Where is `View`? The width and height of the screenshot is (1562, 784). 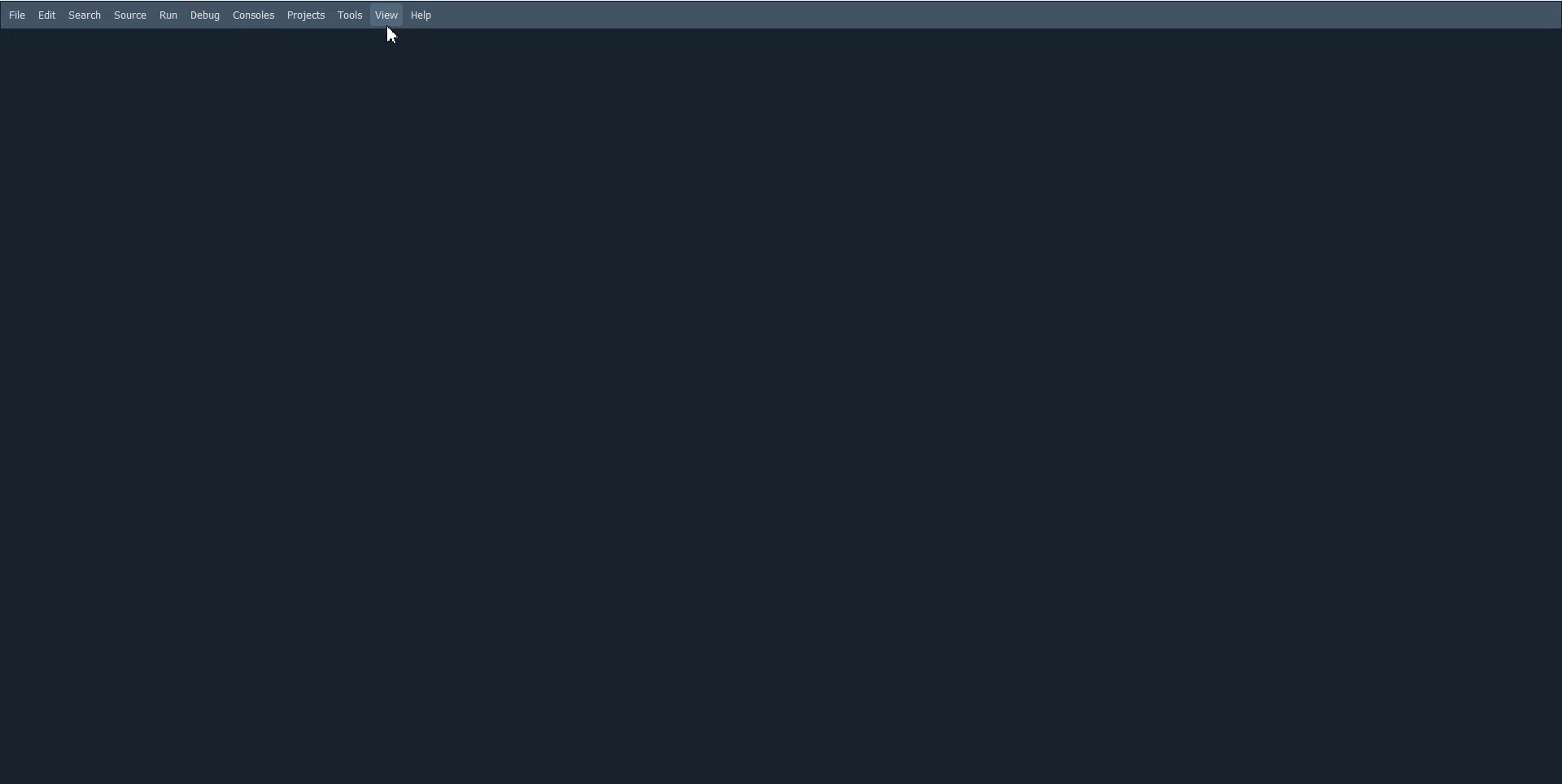
View is located at coordinates (387, 15).